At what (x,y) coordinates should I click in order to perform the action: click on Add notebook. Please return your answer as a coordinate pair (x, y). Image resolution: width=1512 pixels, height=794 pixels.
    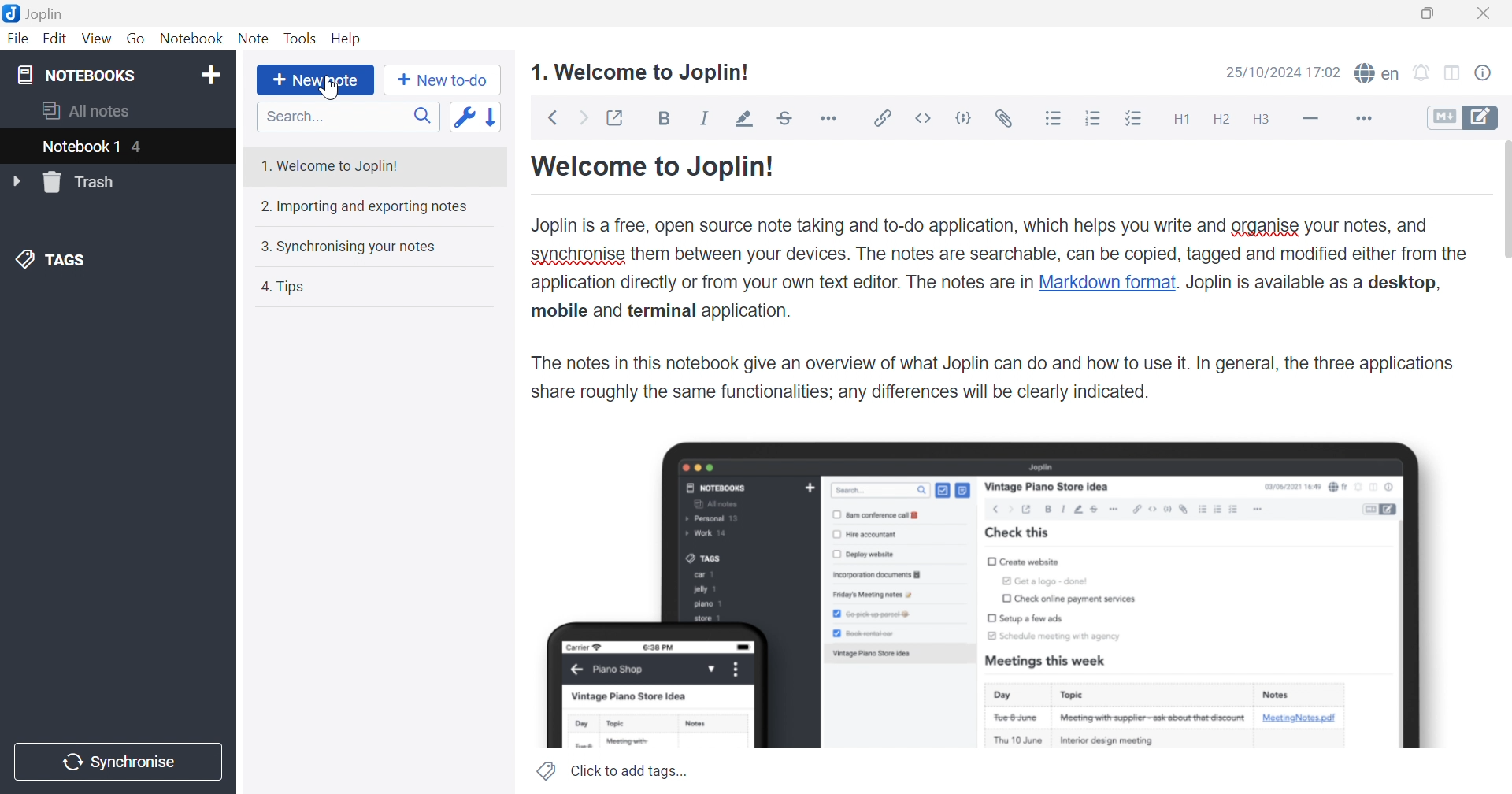
    Looking at the image, I should click on (209, 76).